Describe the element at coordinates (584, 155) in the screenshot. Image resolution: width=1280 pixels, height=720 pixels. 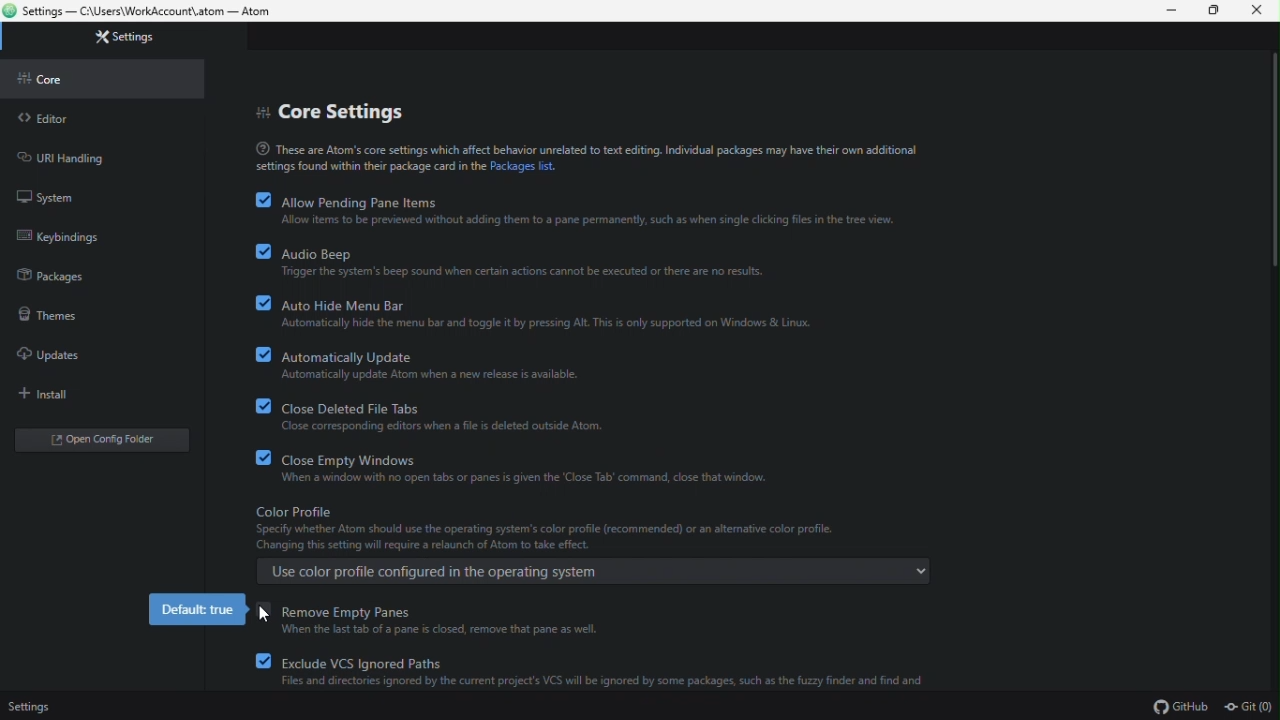
I see `text` at that location.